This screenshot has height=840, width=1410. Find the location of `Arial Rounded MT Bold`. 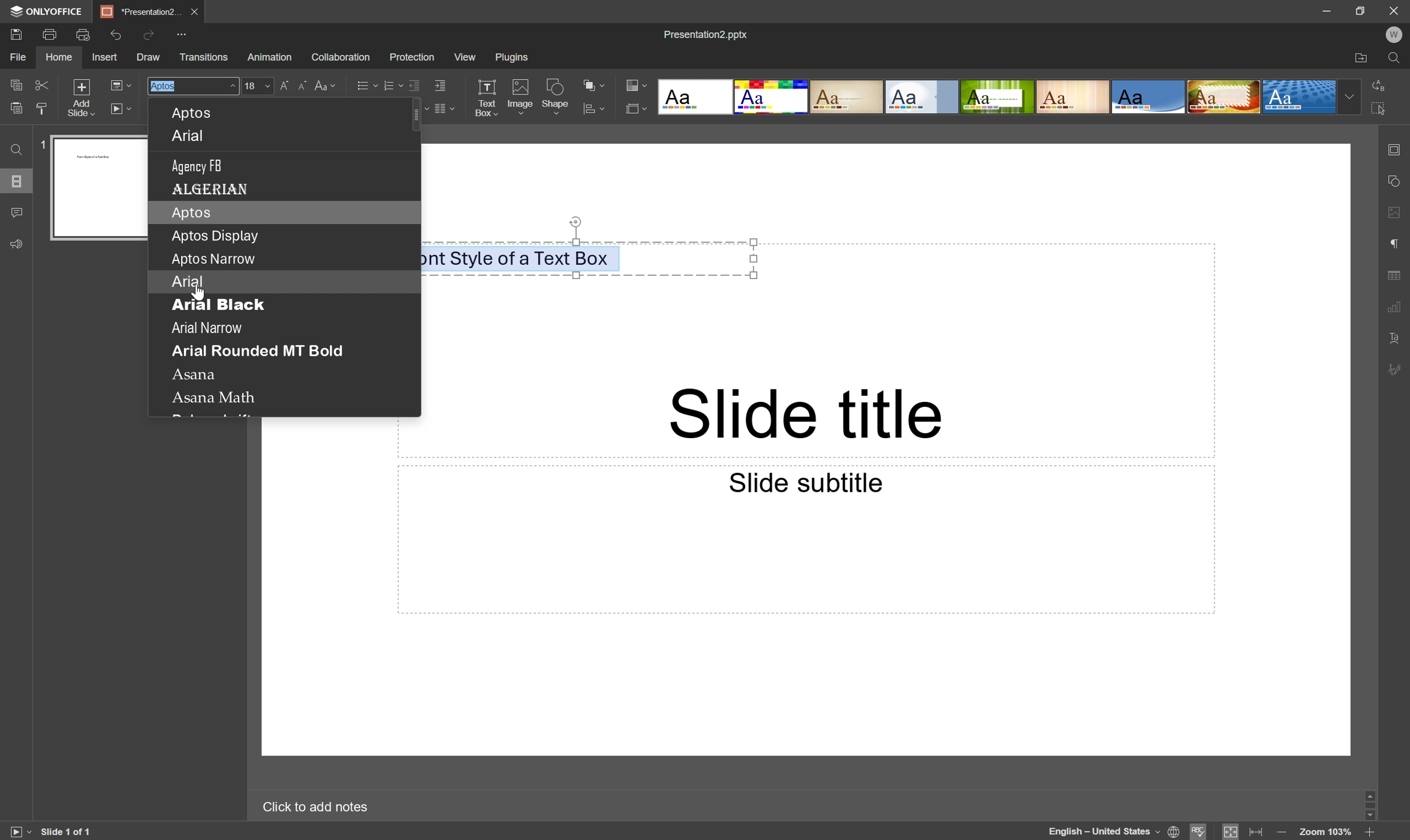

Arial Rounded MT Bold is located at coordinates (257, 350).